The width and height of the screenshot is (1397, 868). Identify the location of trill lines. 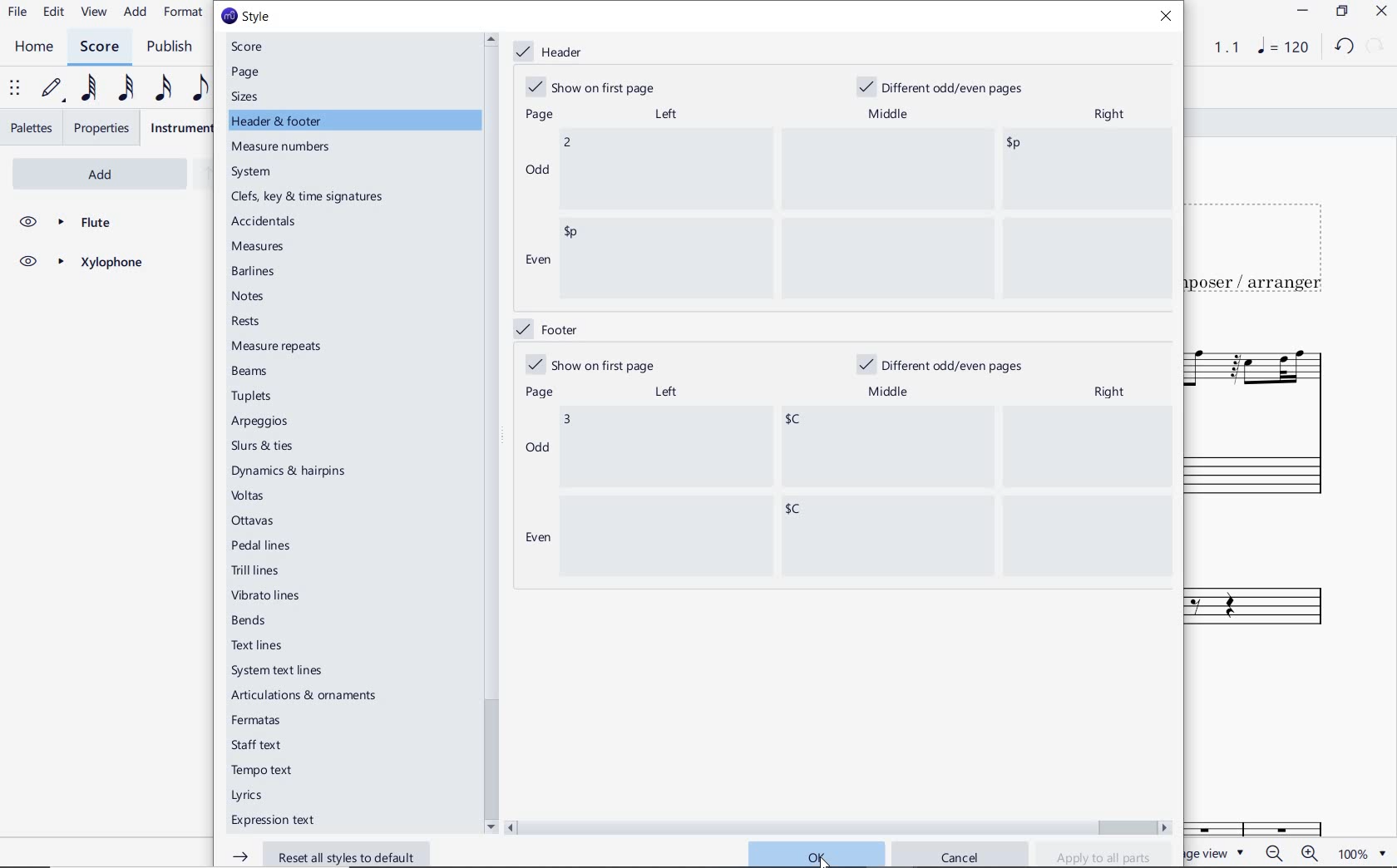
(256, 570).